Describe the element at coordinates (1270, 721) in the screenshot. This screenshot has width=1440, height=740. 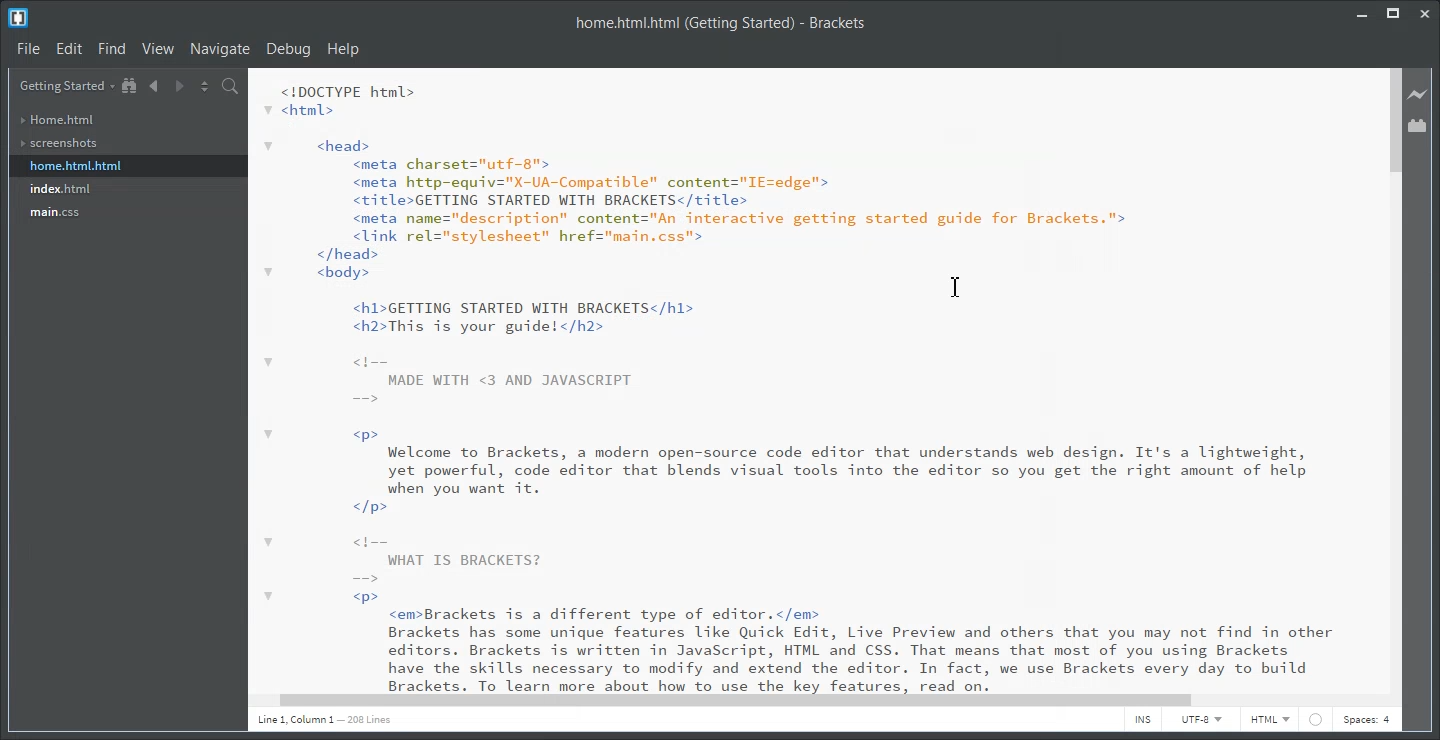
I see `HTML` at that location.